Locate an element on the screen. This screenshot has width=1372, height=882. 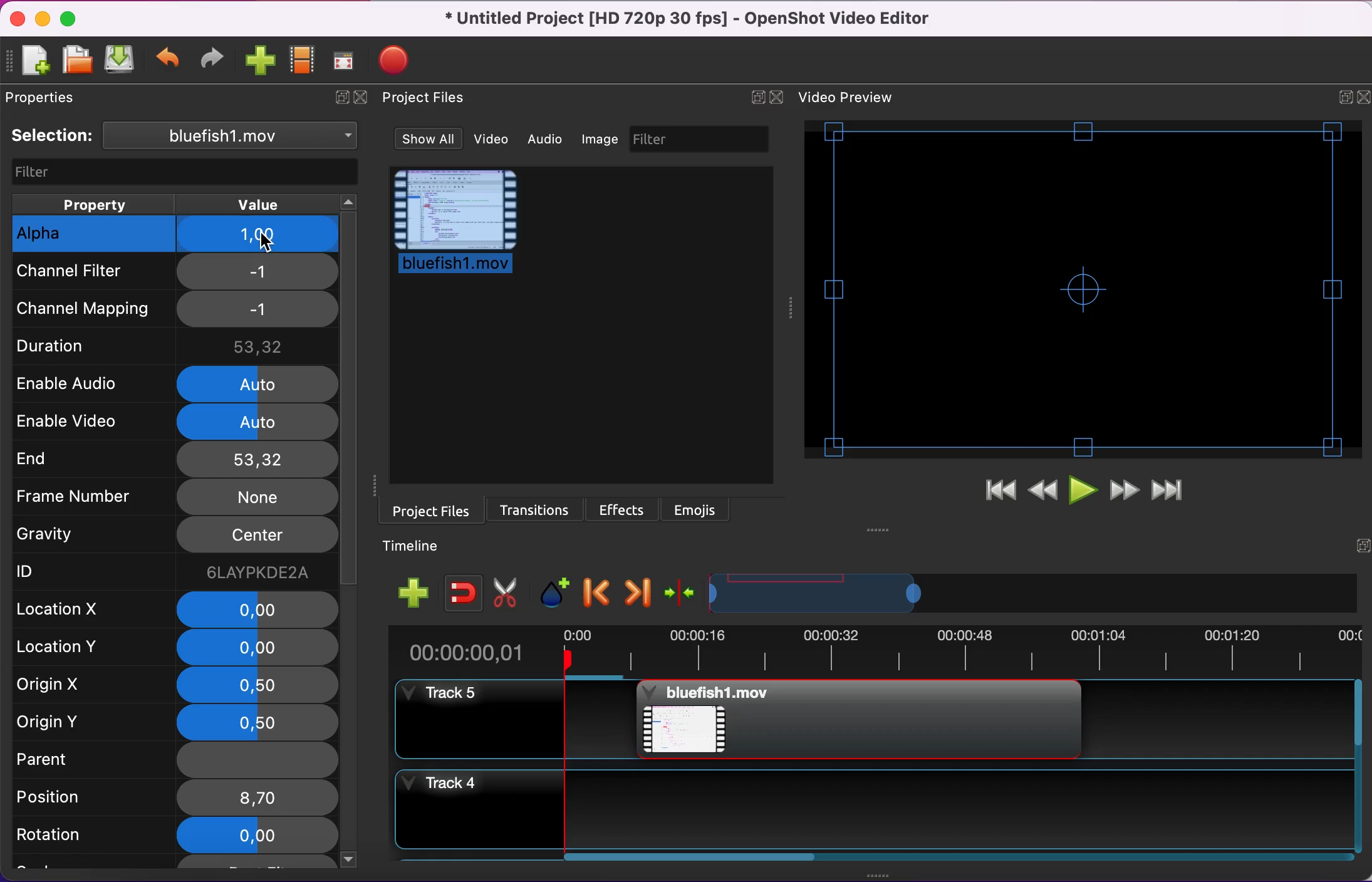
expand/hide is located at coordinates (1361, 546).